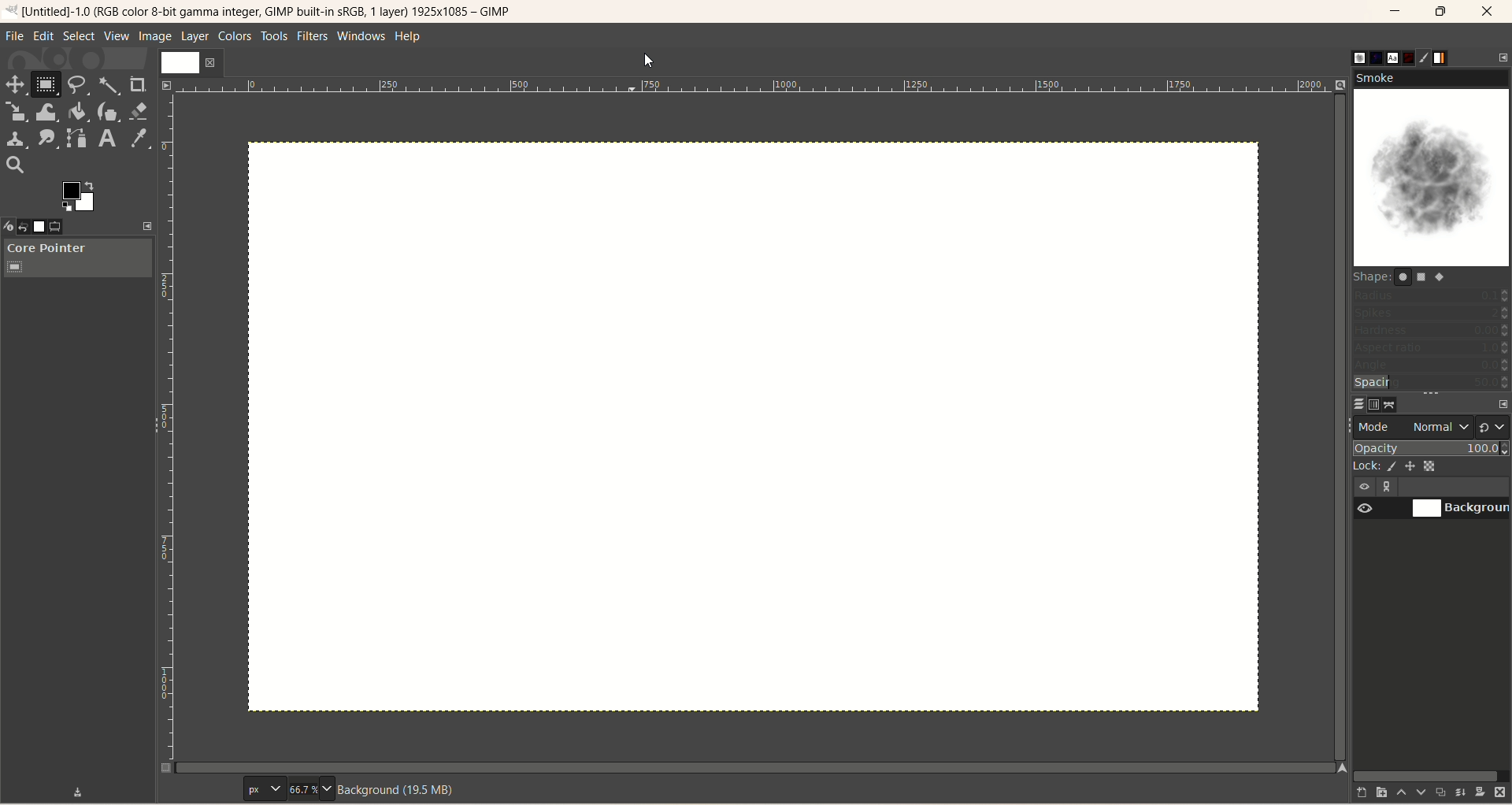 The image size is (1512, 805). What do you see at coordinates (1383, 488) in the screenshot?
I see `link layer` at bounding box center [1383, 488].